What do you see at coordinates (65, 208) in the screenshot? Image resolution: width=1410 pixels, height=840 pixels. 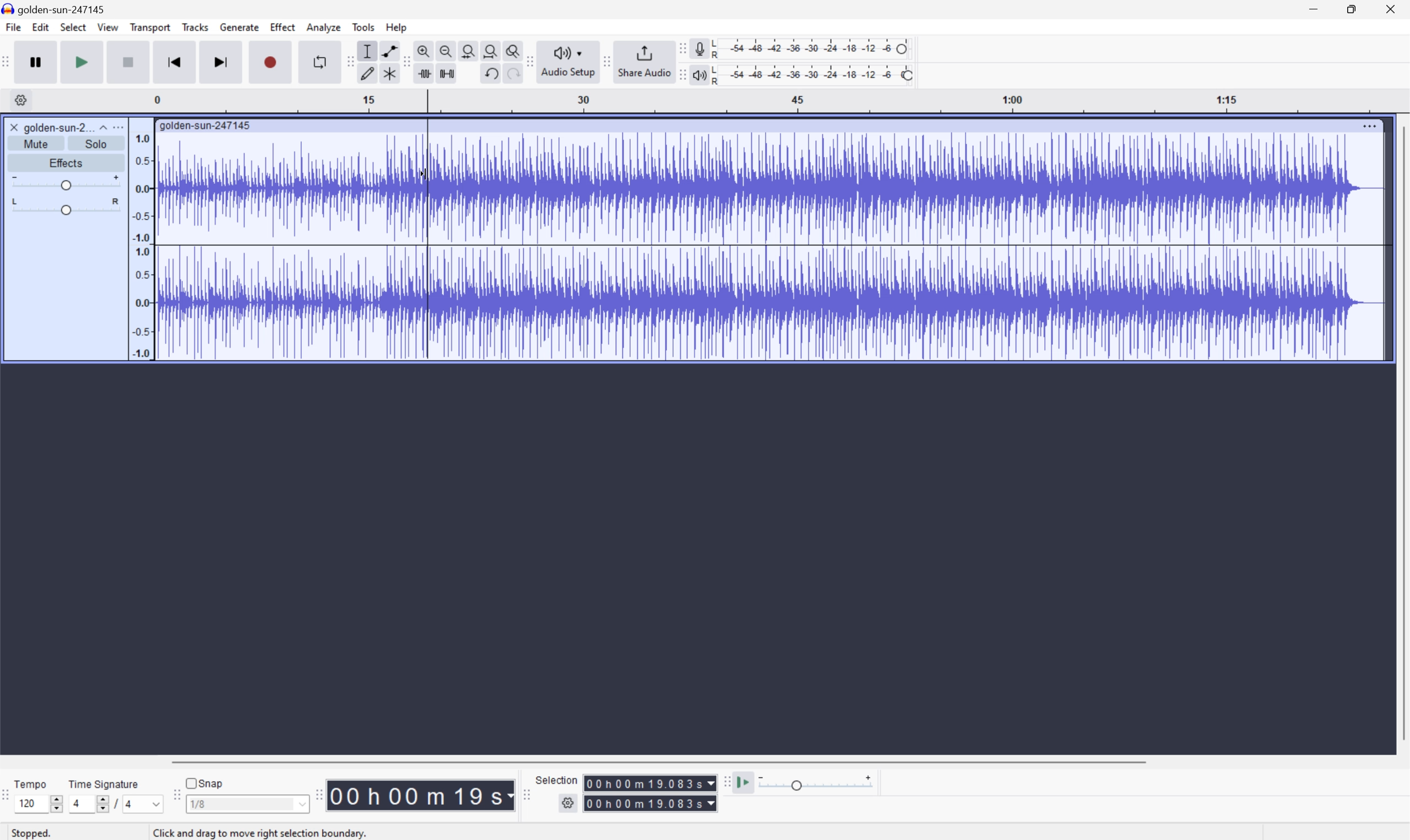 I see `Slider` at bounding box center [65, 208].